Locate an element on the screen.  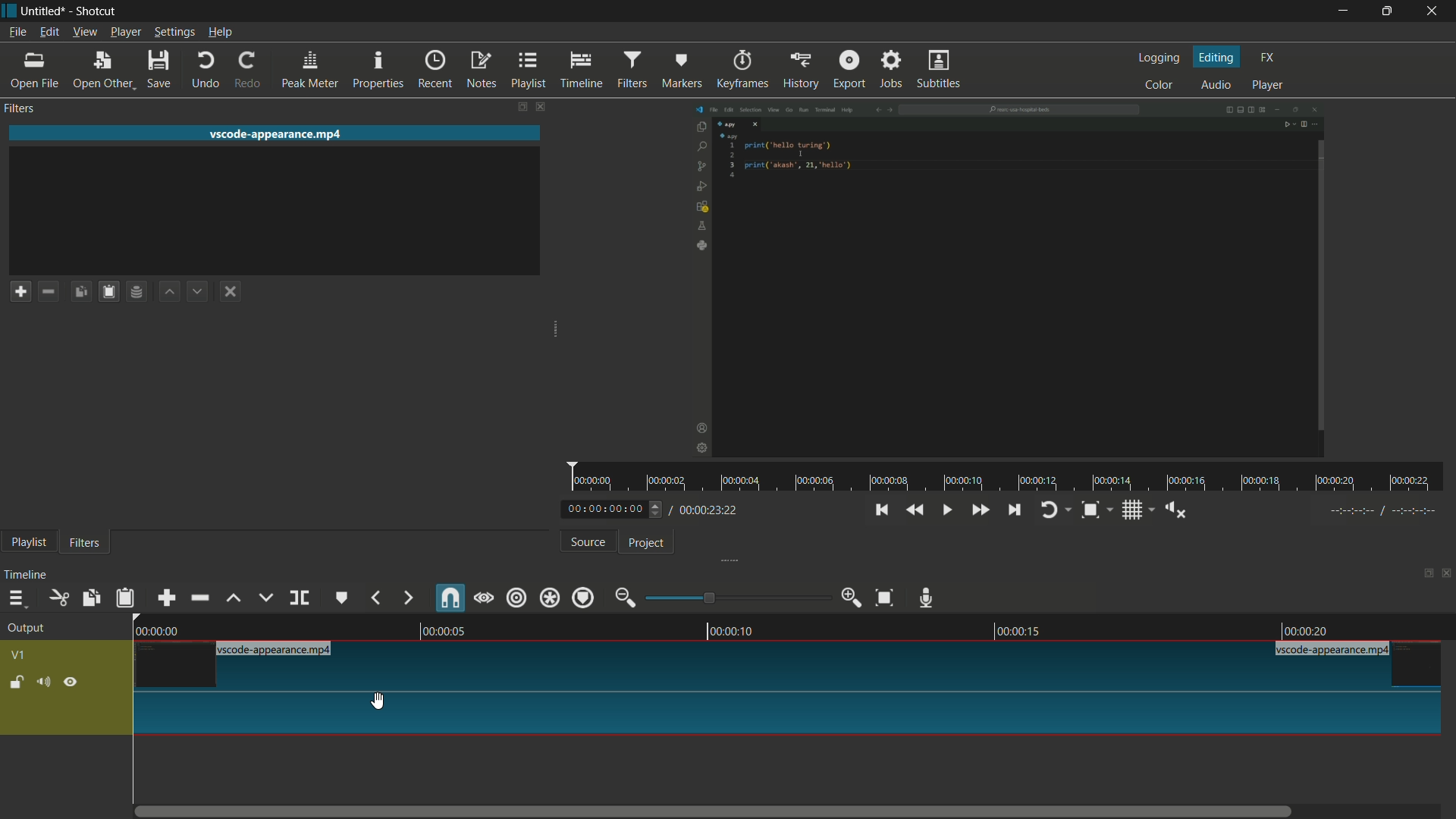
open other is located at coordinates (106, 69).